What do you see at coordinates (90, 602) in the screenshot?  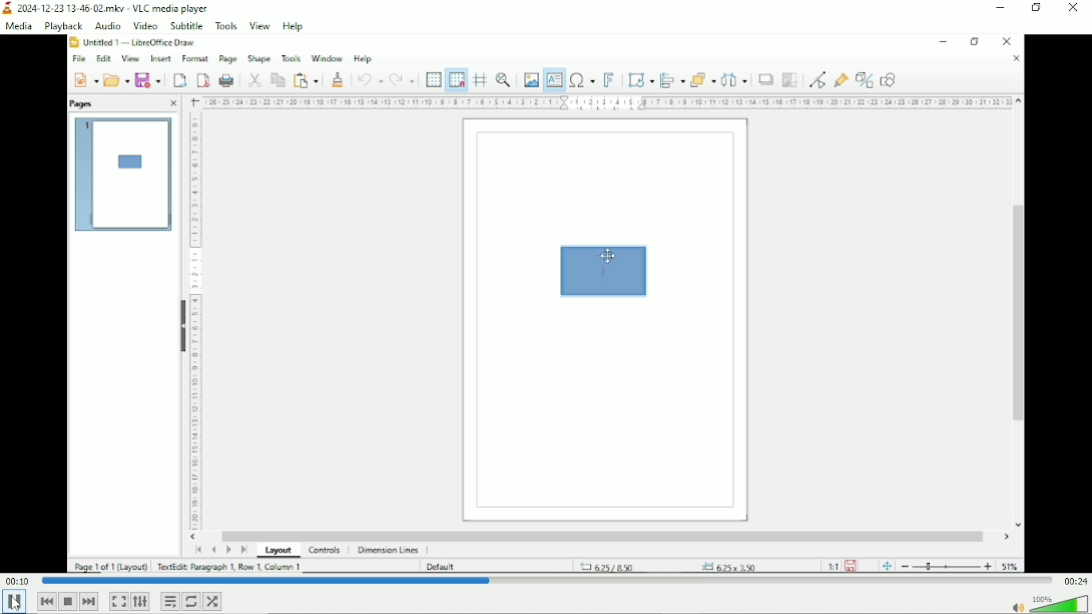 I see `Next` at bounding box center [90, 602].